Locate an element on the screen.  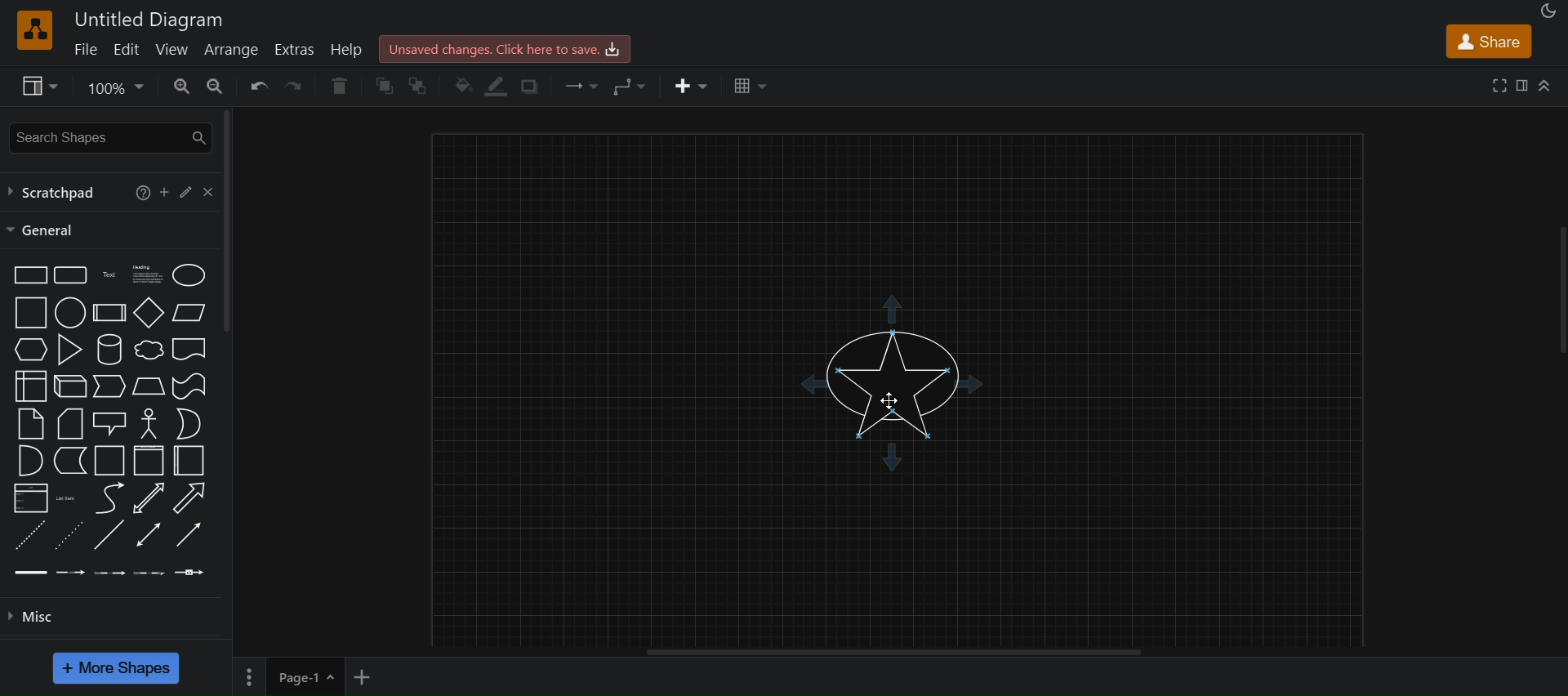
dashed line is located at coordinates (27, 535).